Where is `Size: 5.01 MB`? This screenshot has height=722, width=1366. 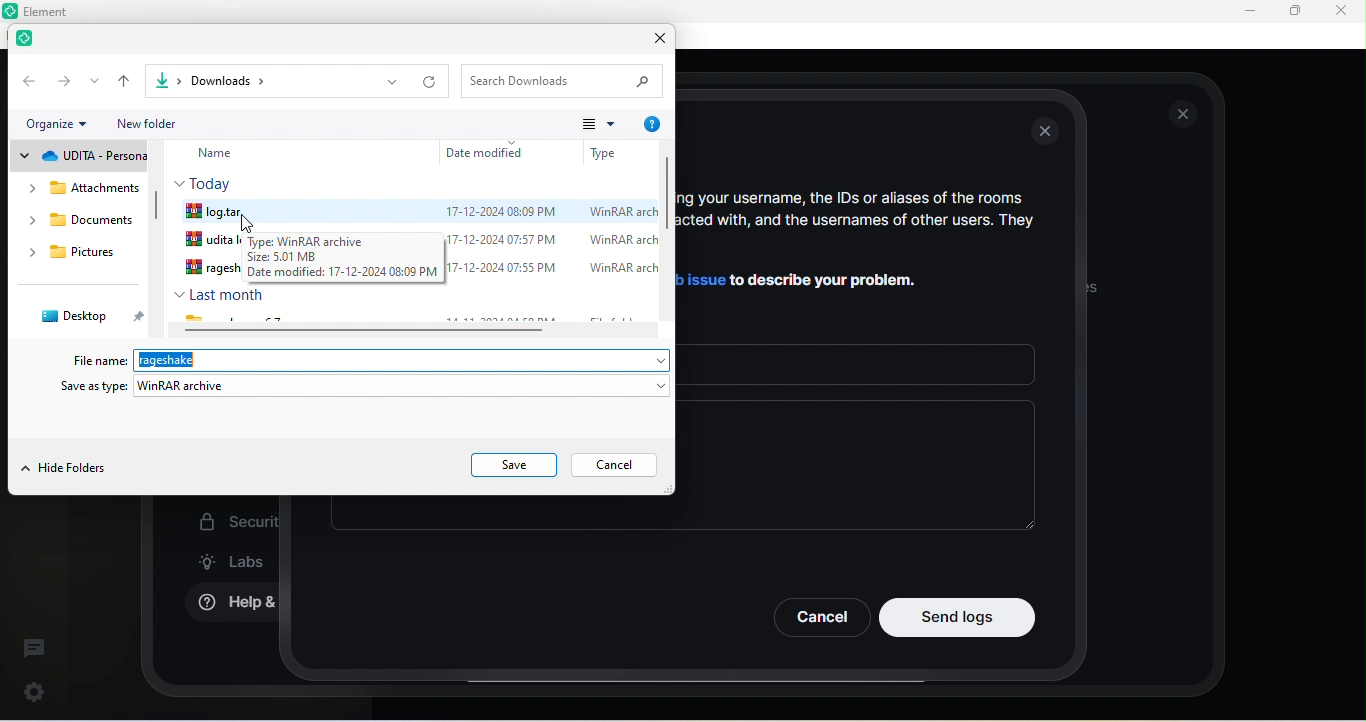 Size: 5.01 MB is located at coordinates (283, 257).